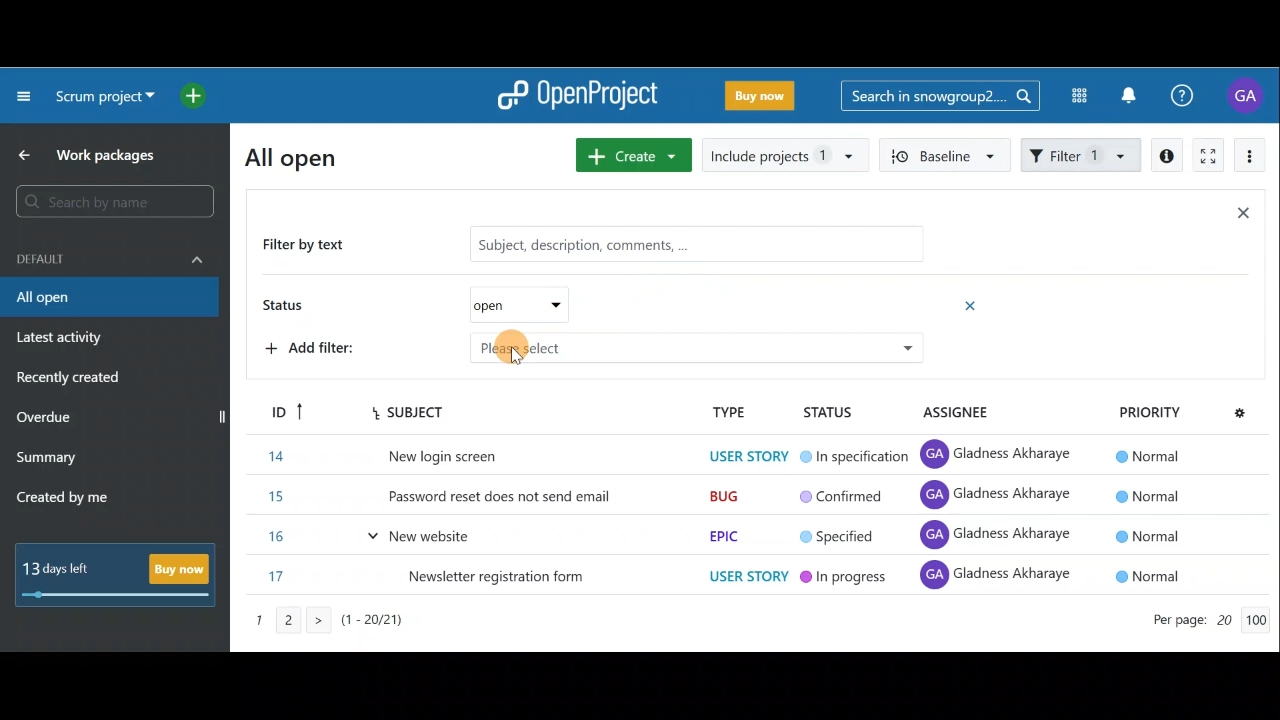 The height and width of the screenshot is (720, 1280). What do you see at coordinates (728, 414) in the screenshot?
I see `Item 5` at bounding box center [728, 414].